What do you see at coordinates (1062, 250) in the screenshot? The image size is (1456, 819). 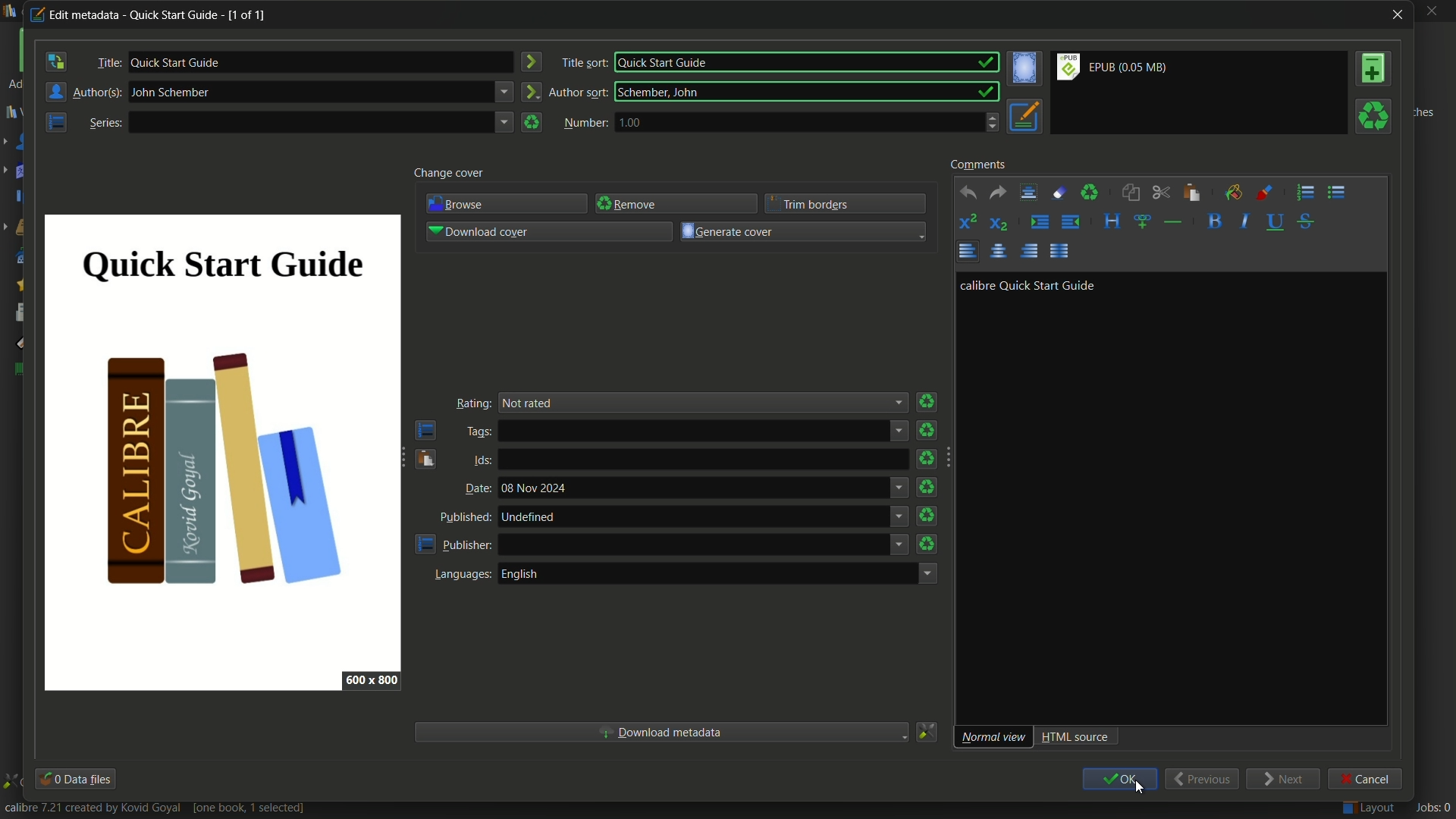 I see `justify` at bounding box center [1062, 250].